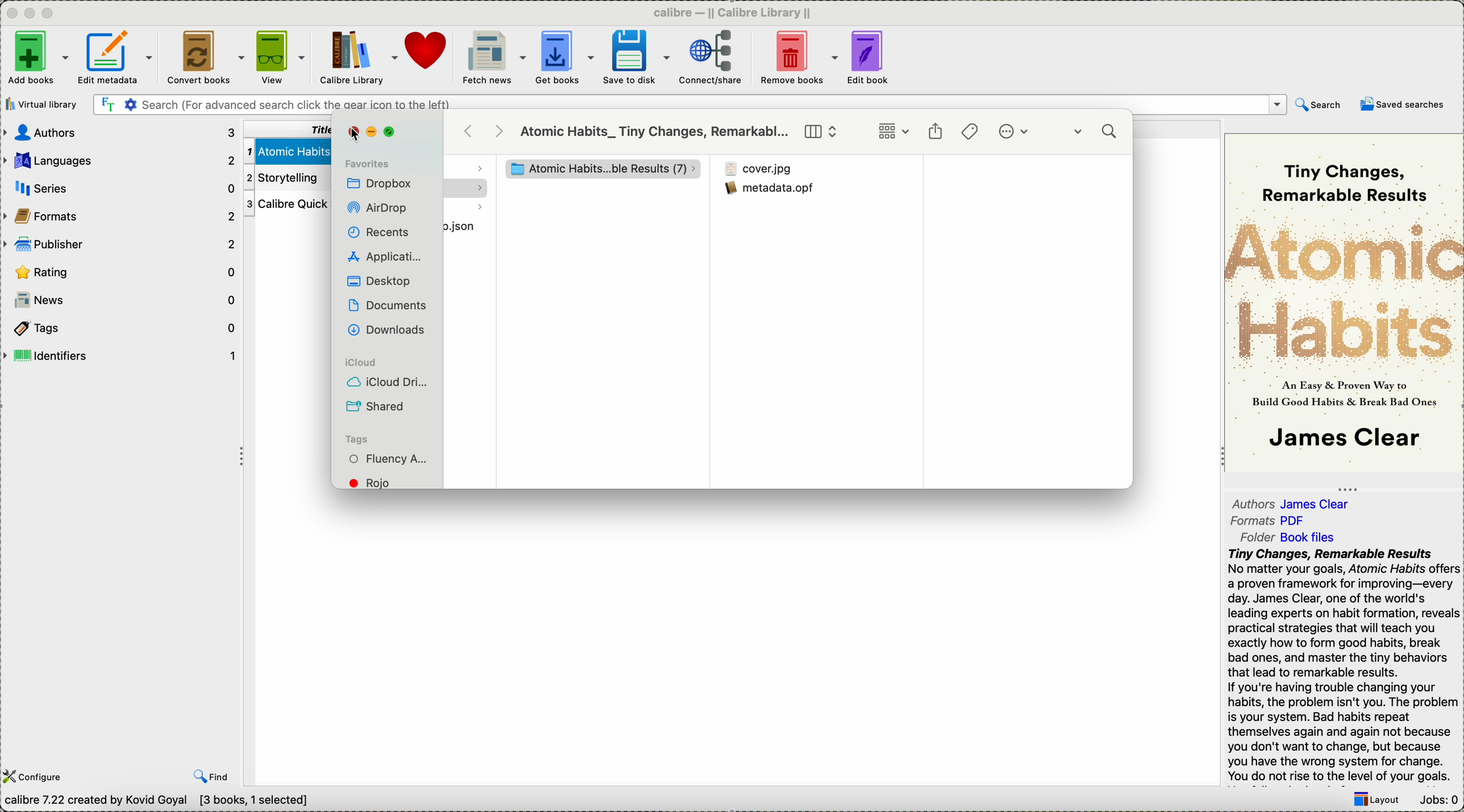 This screenshot has width=1464, height=812. Describe the element at coordinates (469, 228) in the screenshot. I see `file` at that location.